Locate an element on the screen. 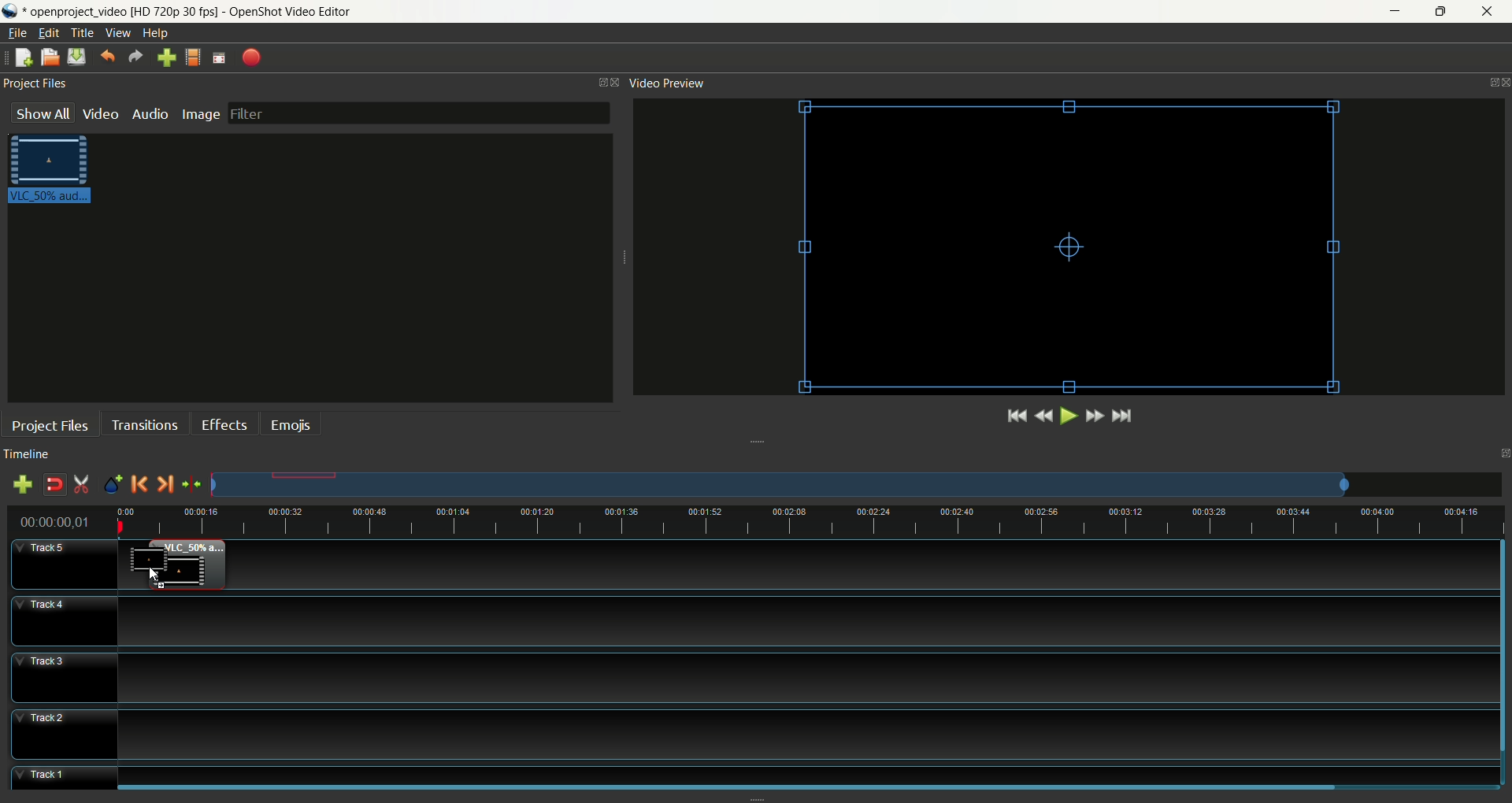  project files is located at coordinates (35, 83).